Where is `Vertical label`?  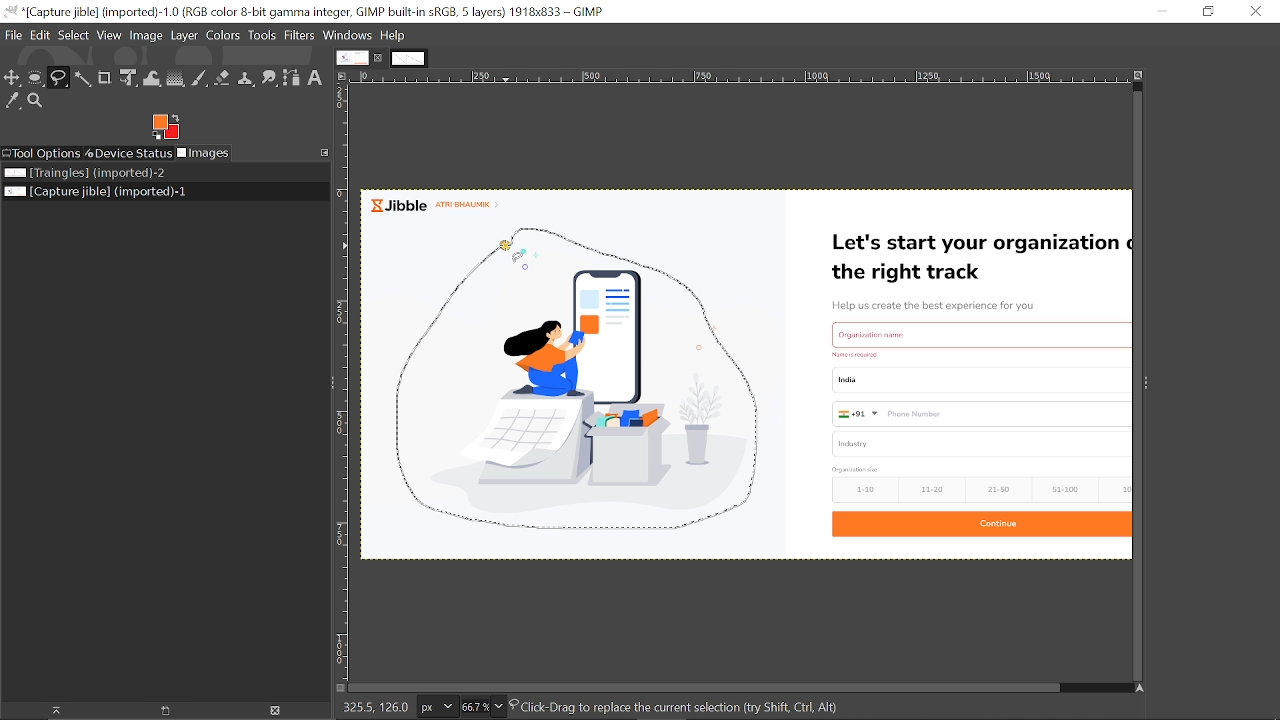
Vertical label is located at coordinates (344, 381).